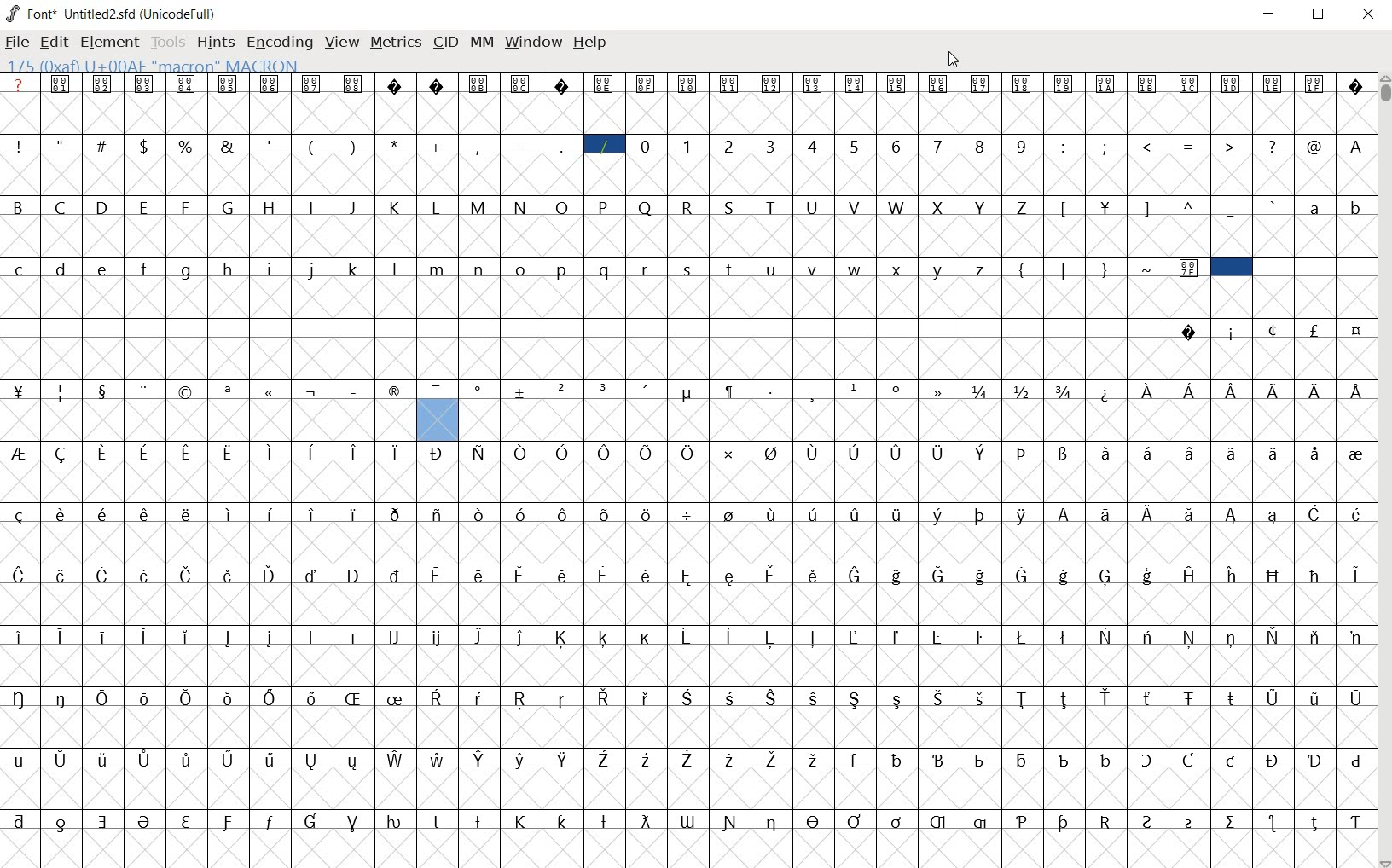  What do you see at coordinates (605, 512) in the screenshot?
I see `Symbol` at bounding box center [605, 512].